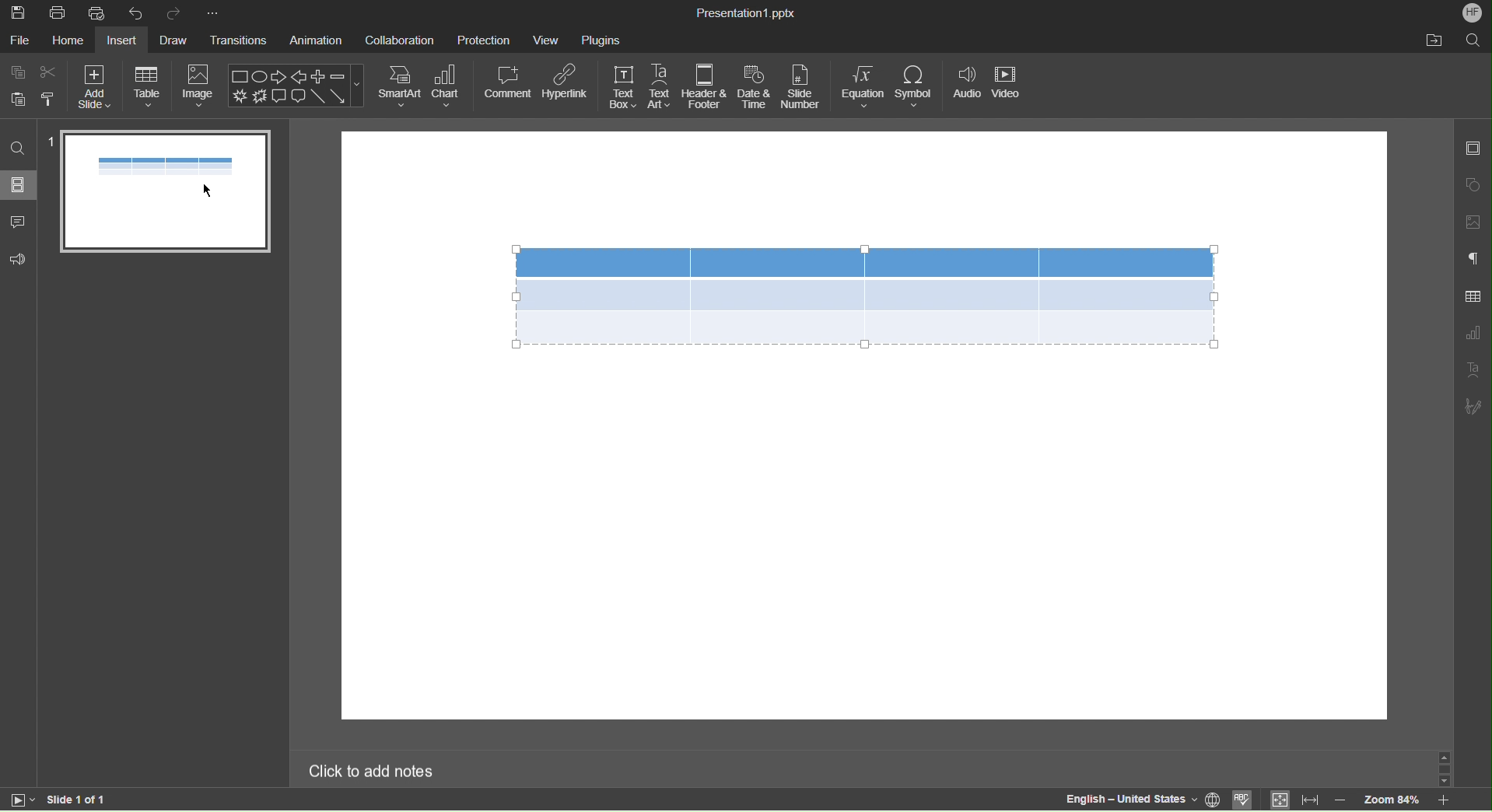 The height and width of the screenshot is (812, 1492). What do you see at coordinates (1473, 296) in the screenshot?
I see `Table Settings` at bounding box center [1473, 296].